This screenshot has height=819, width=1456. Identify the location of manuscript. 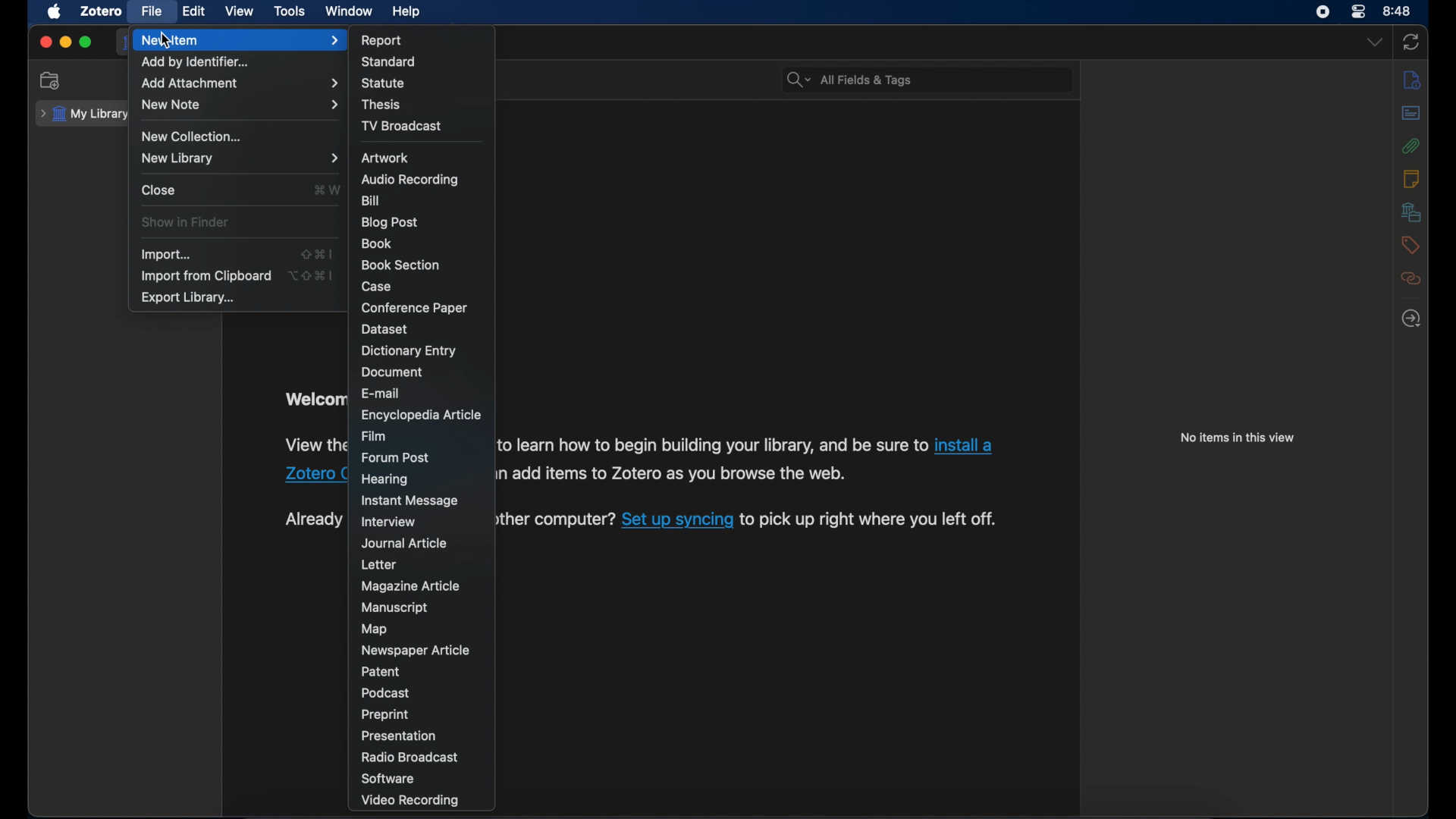
(396, 608).